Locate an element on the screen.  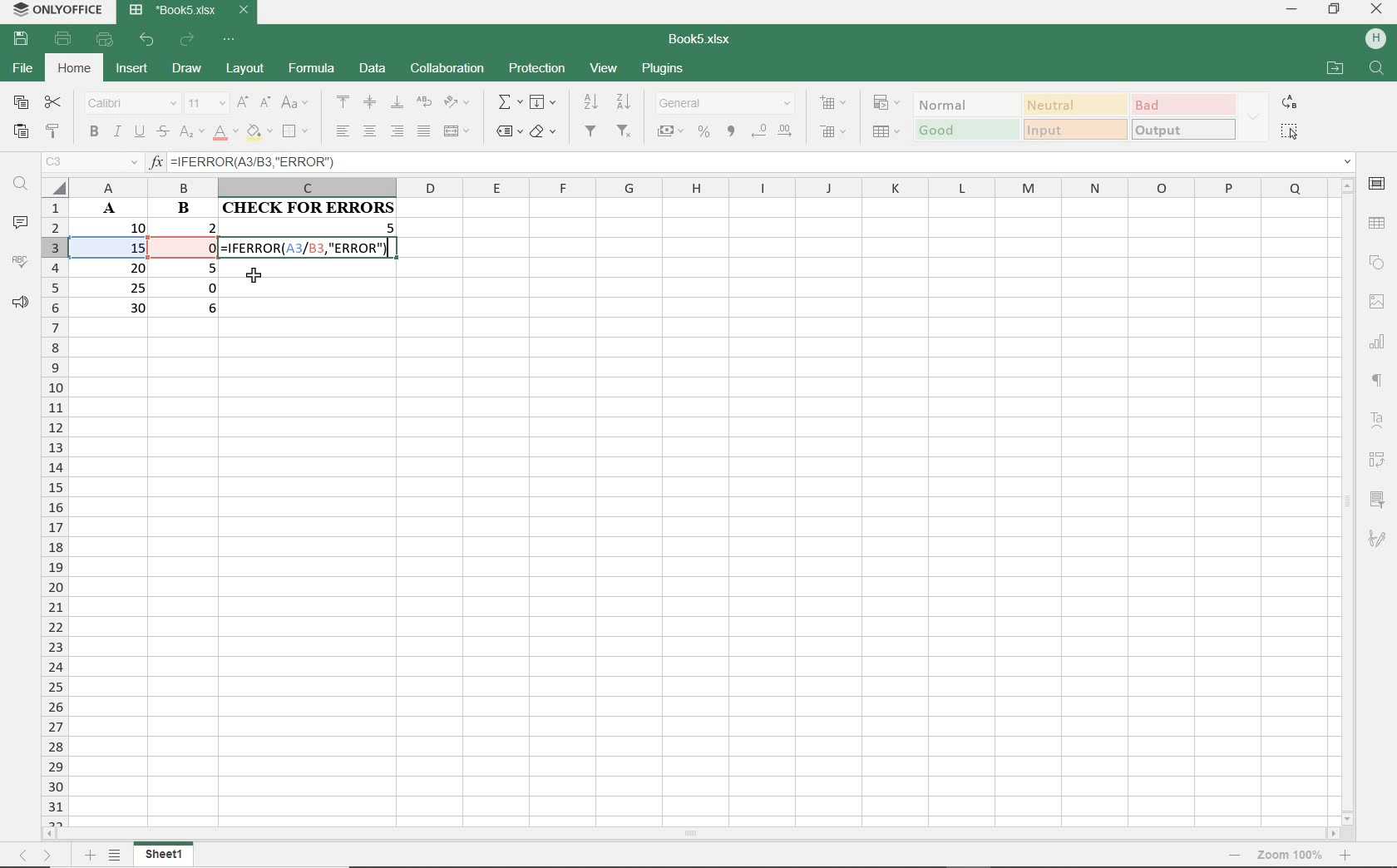
ORIENTATION is located at coordinates (457, 103).